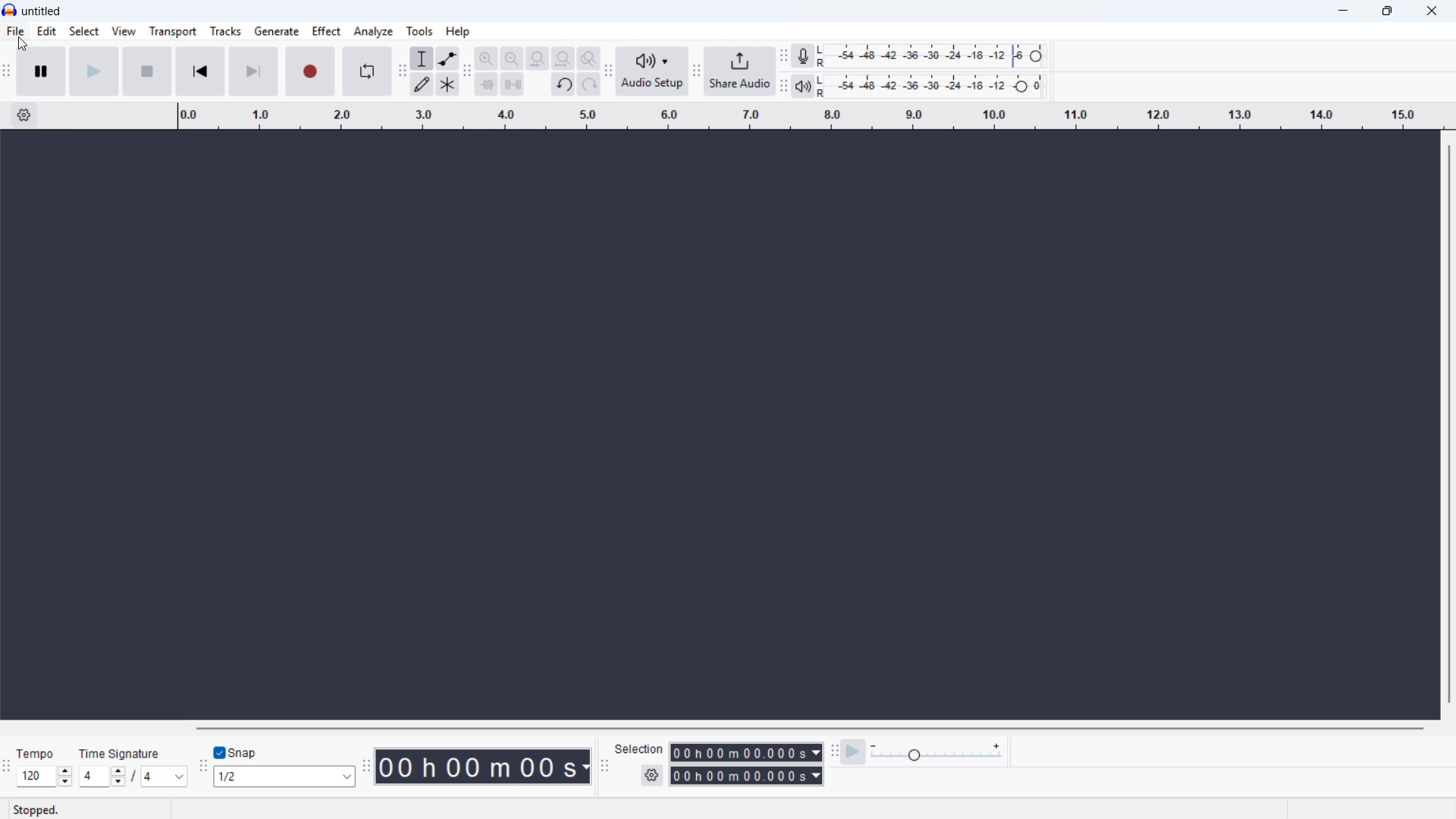  What do you see at coordinates (652, 71) in the screenshot?
I see `Audio setup ` at bounding box center [652, 71].